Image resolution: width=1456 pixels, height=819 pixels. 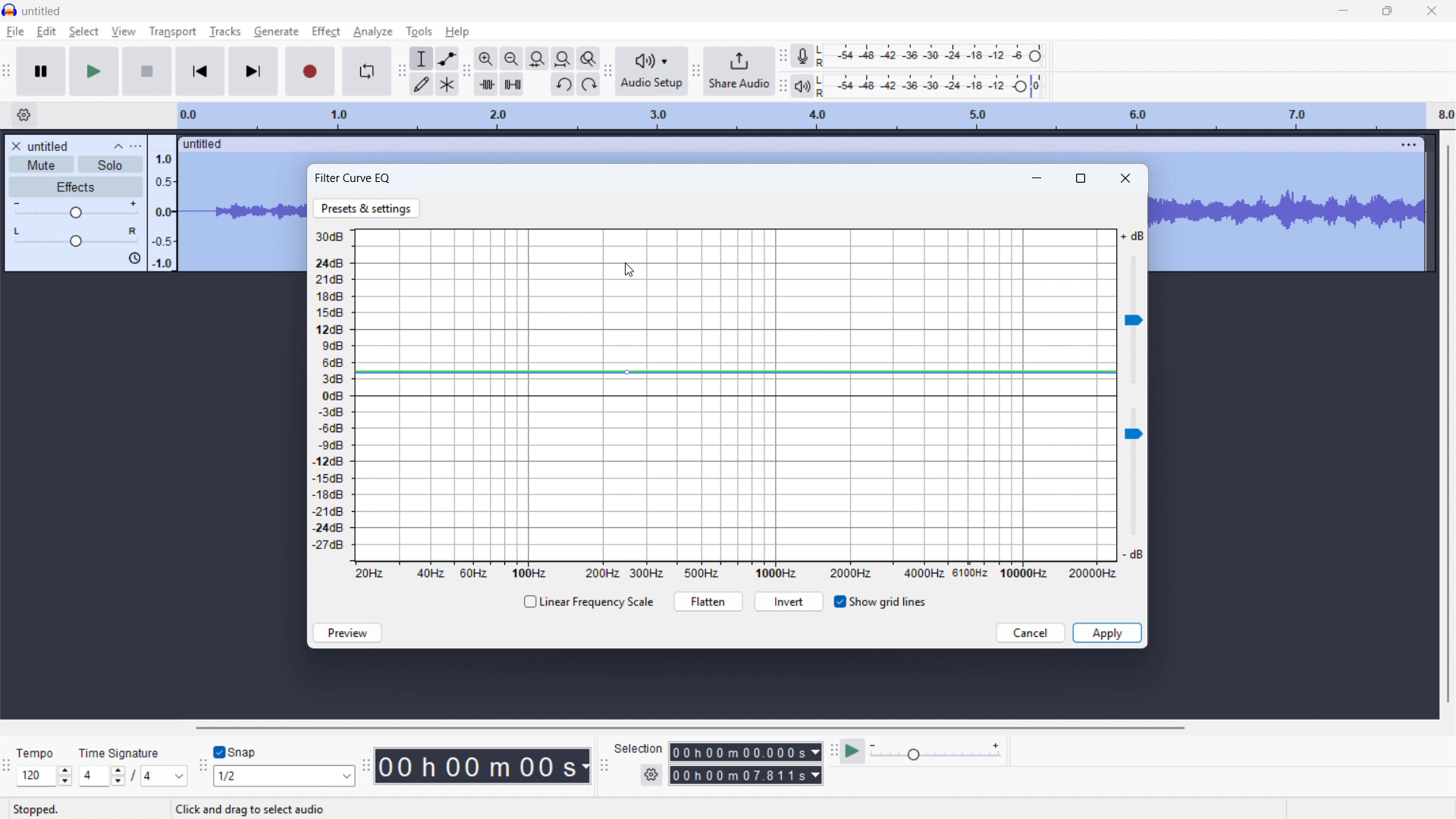 I want to click on Invert , so click(x=792, y=601).